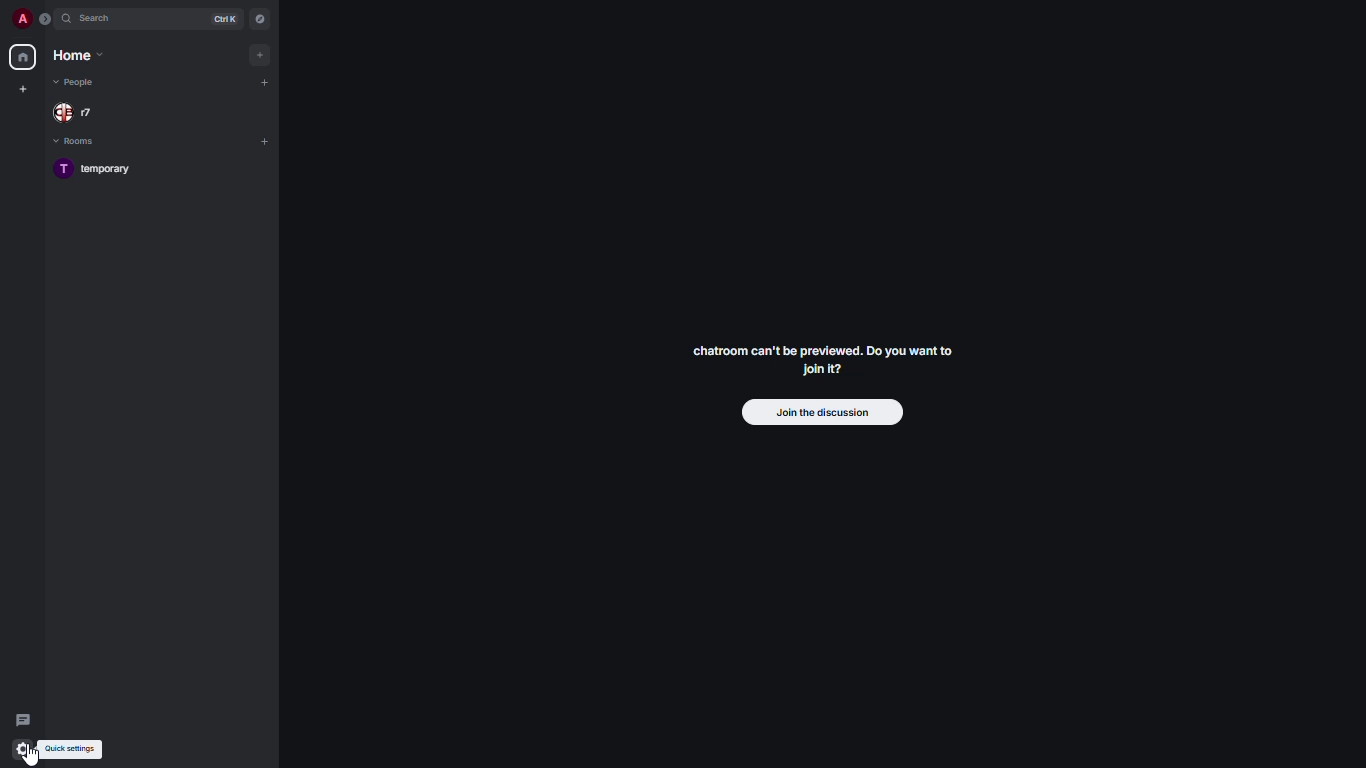  I want to click on navigator, so click(261, 21).